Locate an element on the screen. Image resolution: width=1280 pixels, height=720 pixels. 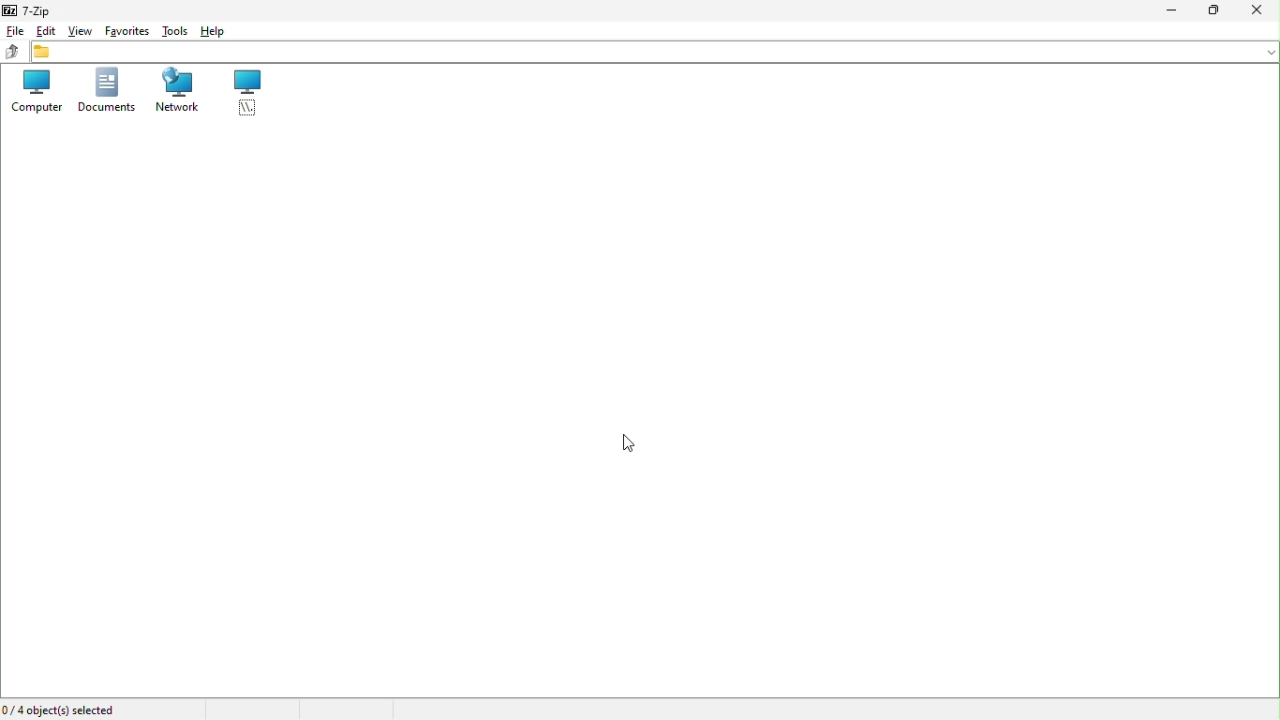
root is located at coordinates (248, 92).